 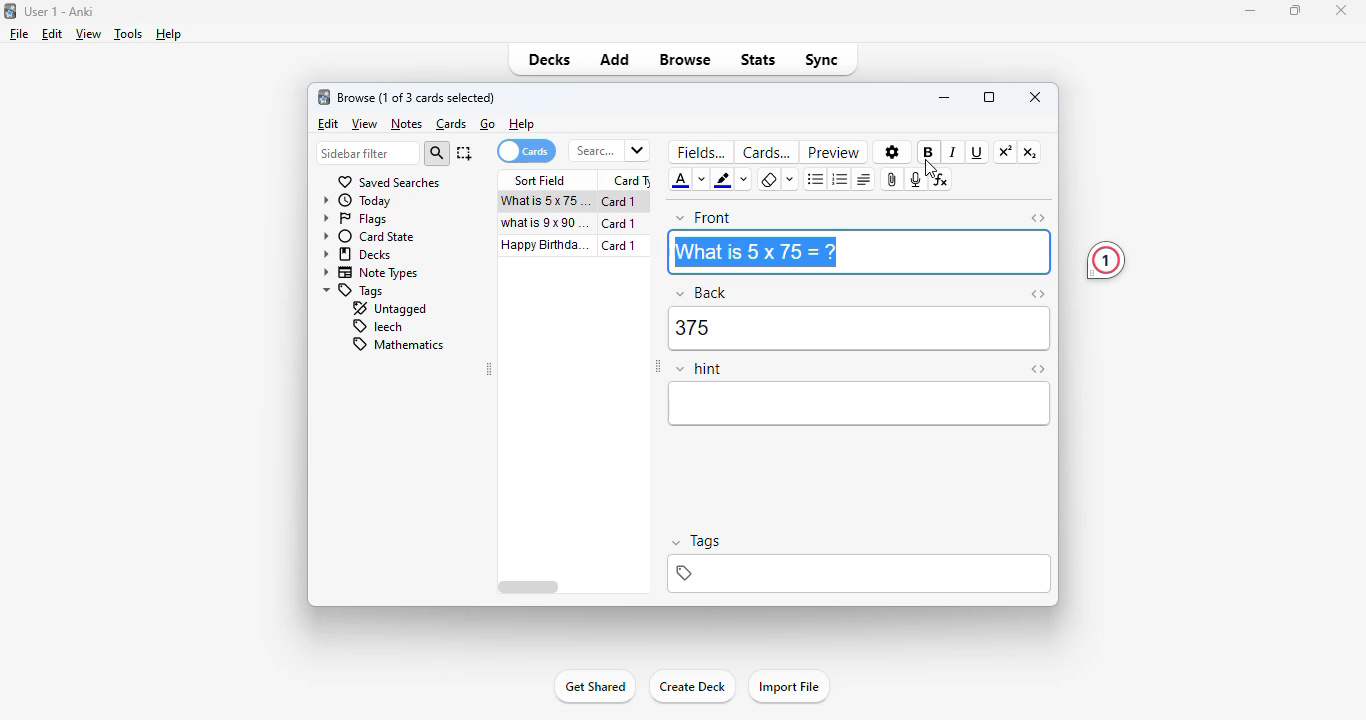 What do you see at coordinates (417, 97) in the screenshot?
I see `browse (1 of 3 cards selected)` at bounding box center [417, 97].